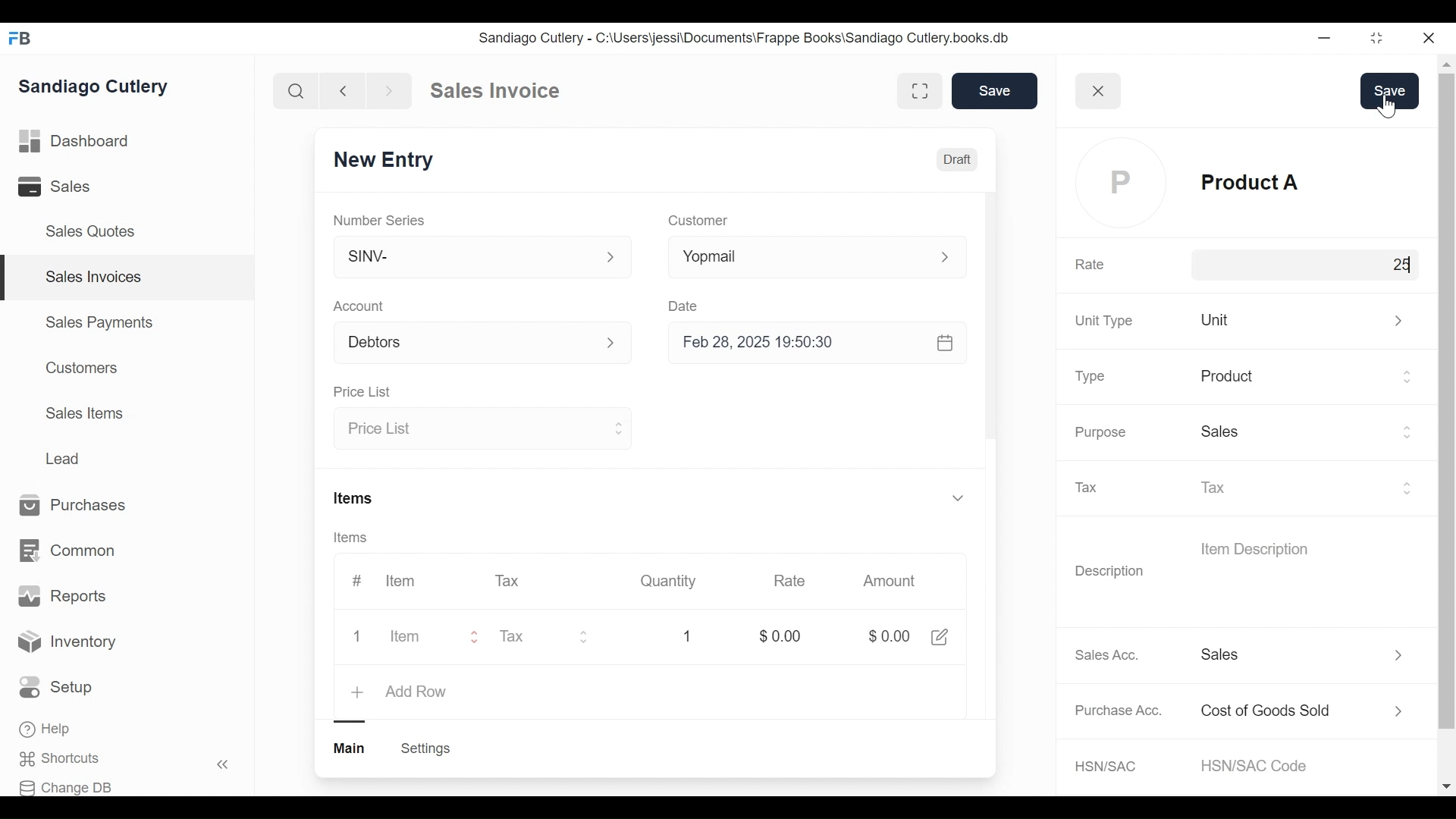 This screenshot has height=819, width=1456. Describe the element at coordinates (1308, 486) in the screenshot. I see `Tax` at that location.